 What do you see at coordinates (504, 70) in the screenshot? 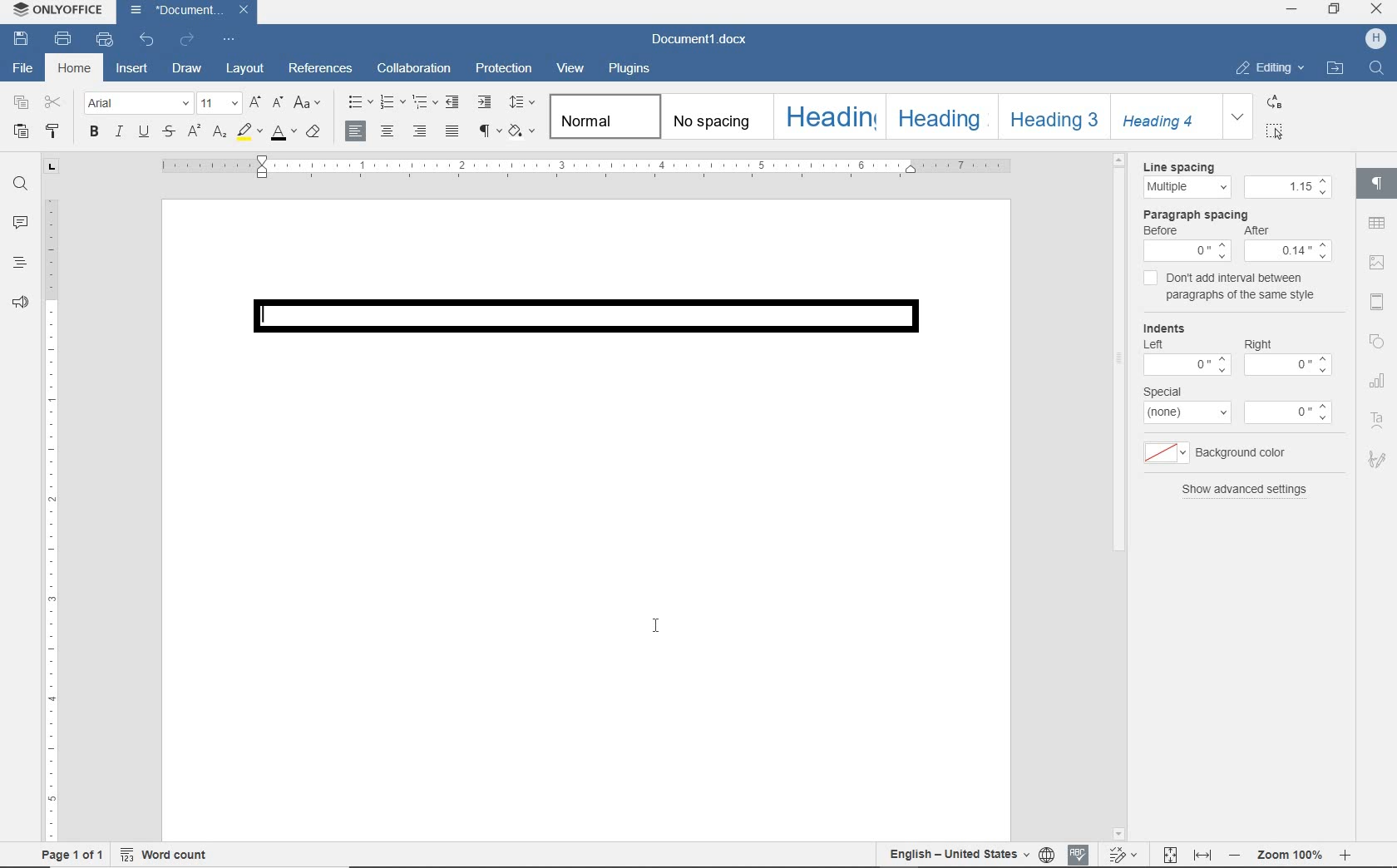
I see `protection` at bounding box center [504, 70].